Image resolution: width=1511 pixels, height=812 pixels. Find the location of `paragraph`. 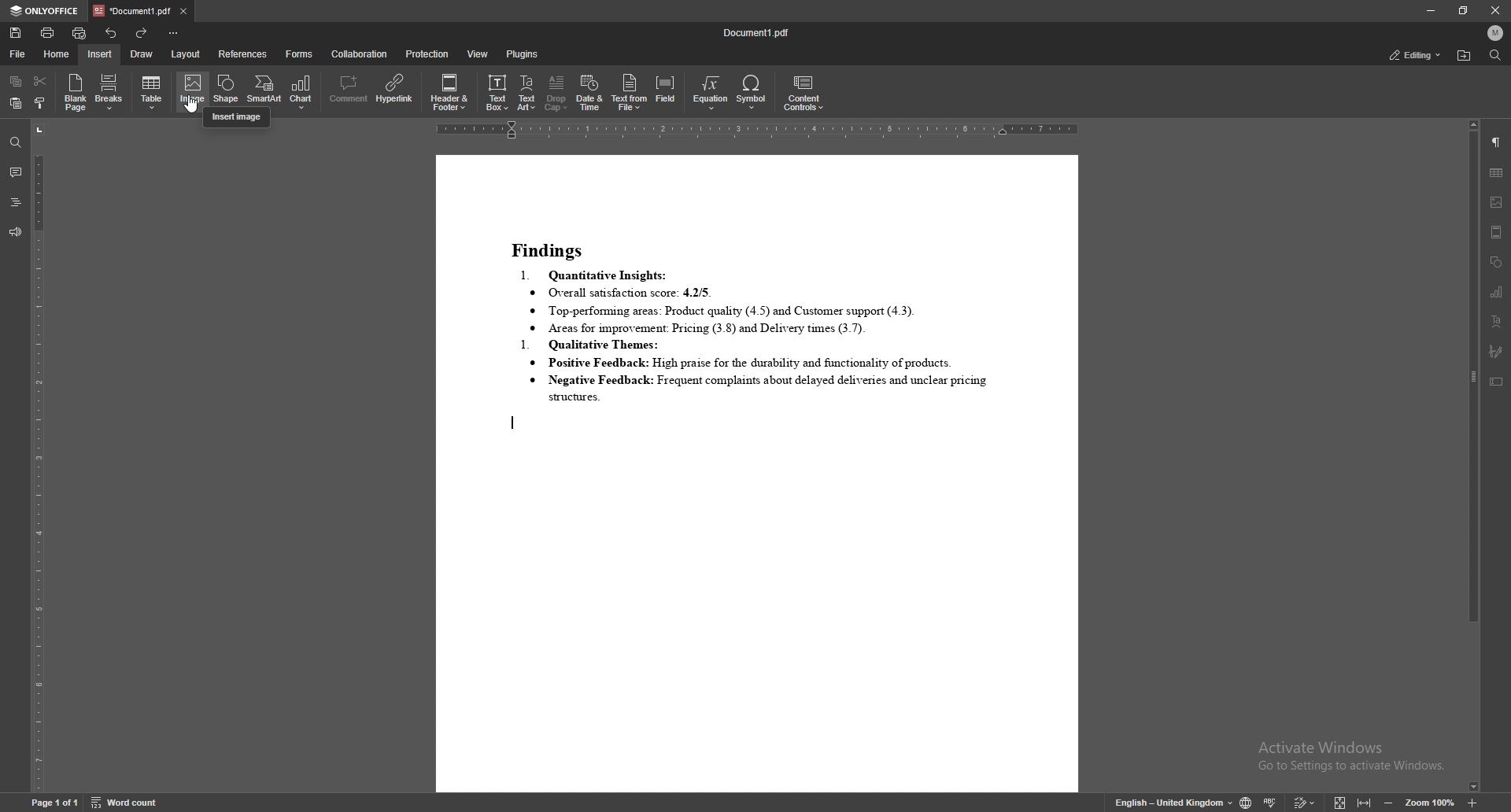

paragraph is located at coordinates (1497, 142).